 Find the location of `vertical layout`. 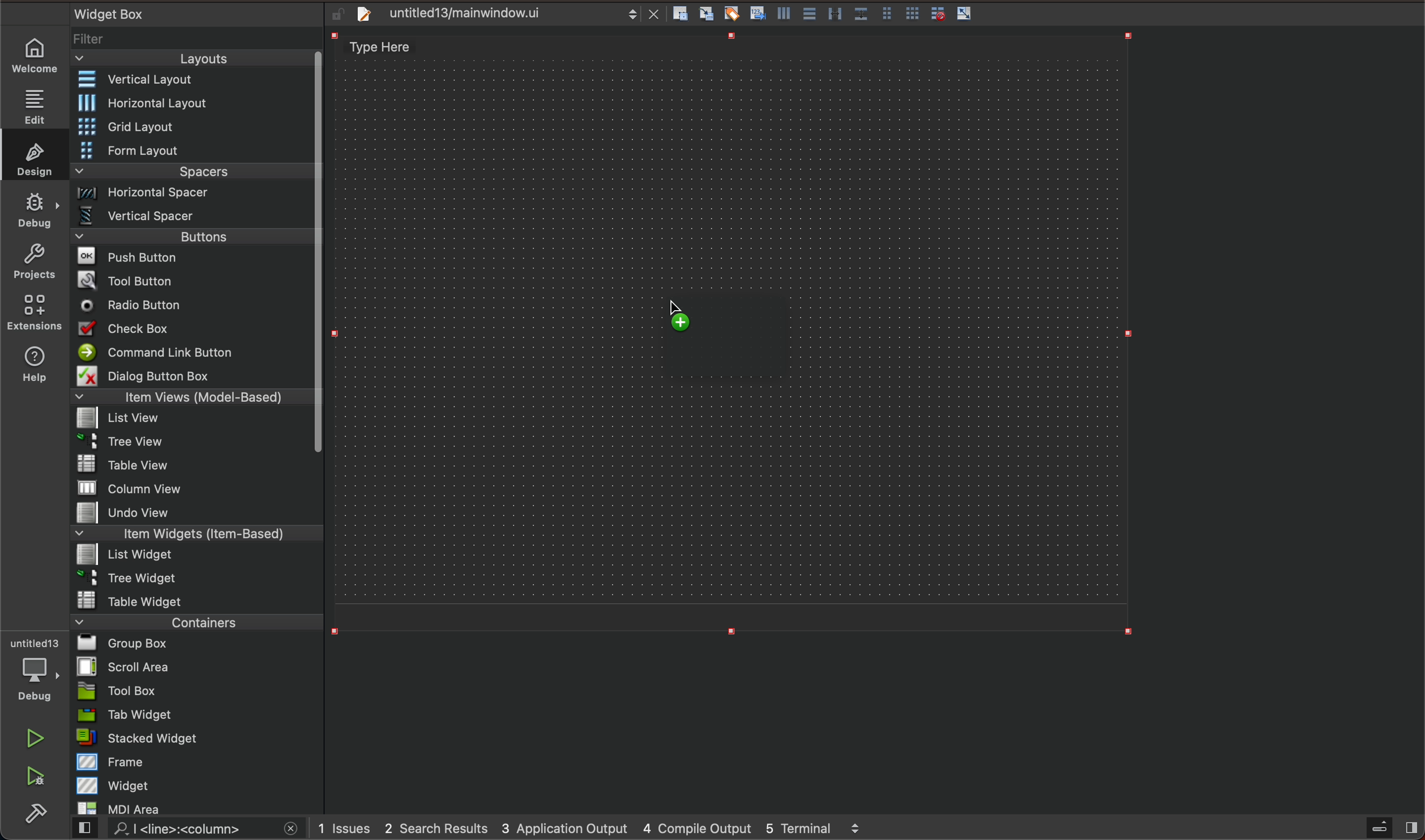

vertical layout is located at coordinates (192, 79).